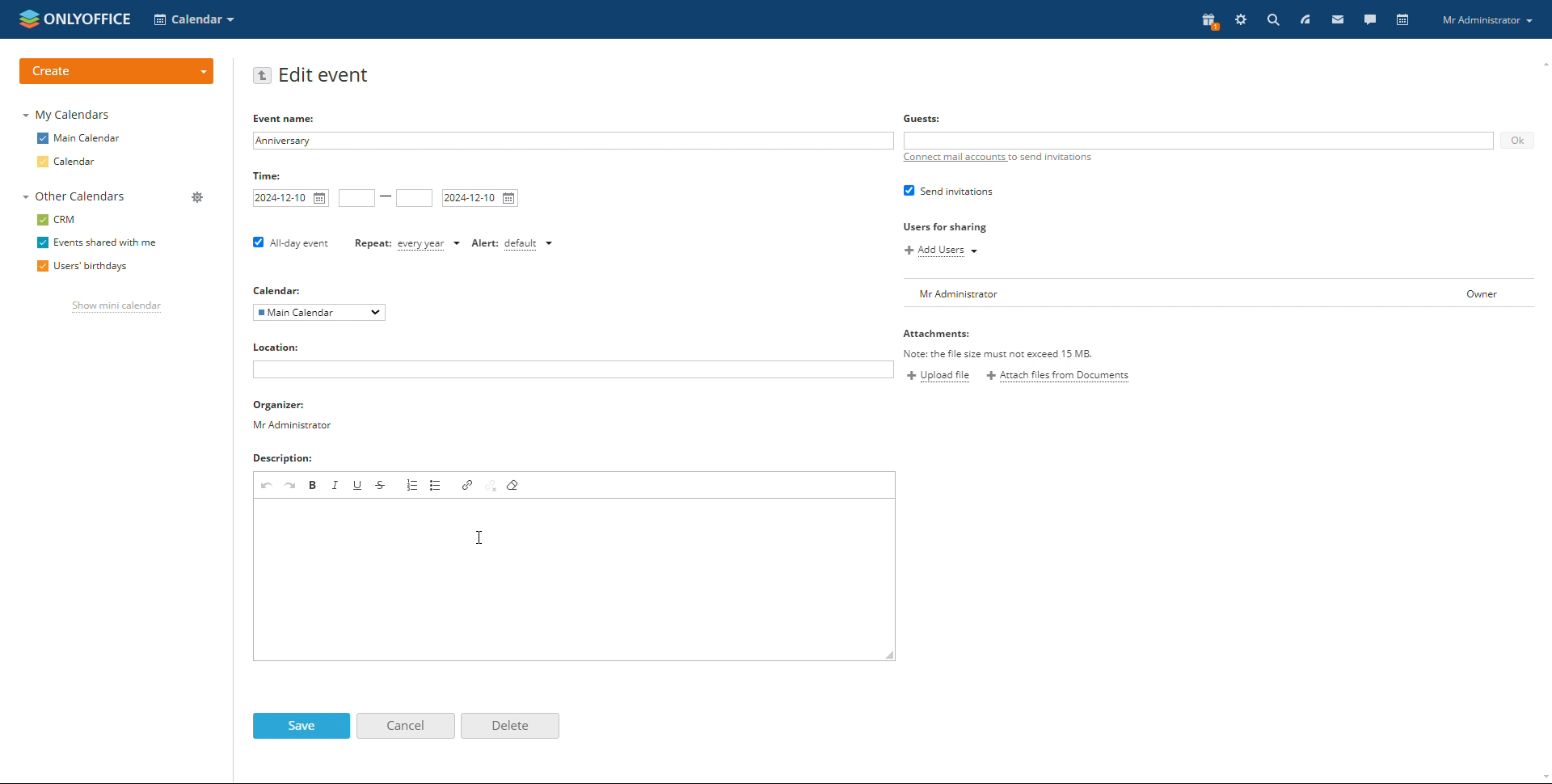 Image resolution: width=1552 pixels, height=784 pixels. What do you see at coordinates (571, 141) in the screenshot?
I see `add event name` at bounding box center [571, 141].